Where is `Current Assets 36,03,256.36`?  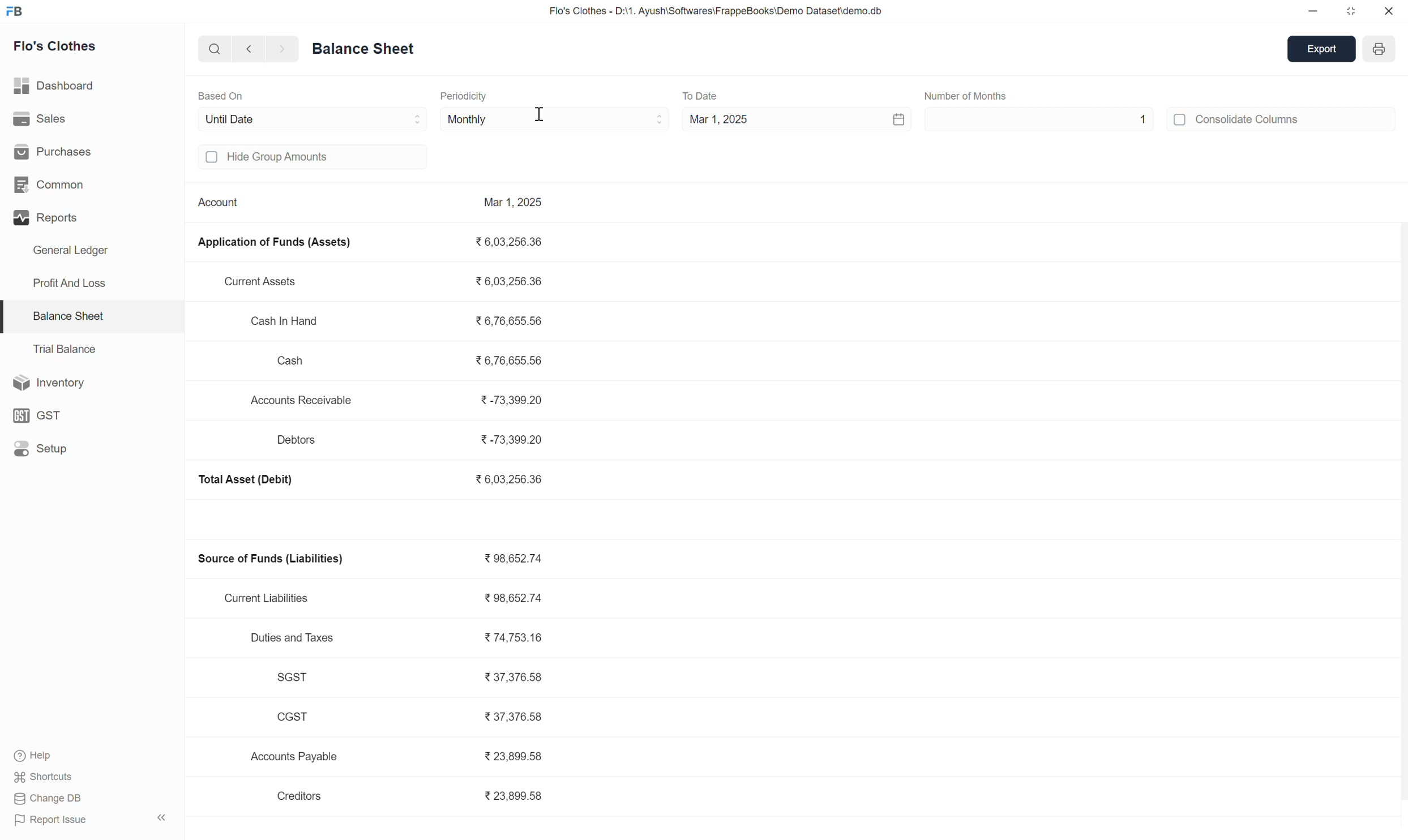 Current Assets 36,03,256.36 is located at coordinates (388, 282).